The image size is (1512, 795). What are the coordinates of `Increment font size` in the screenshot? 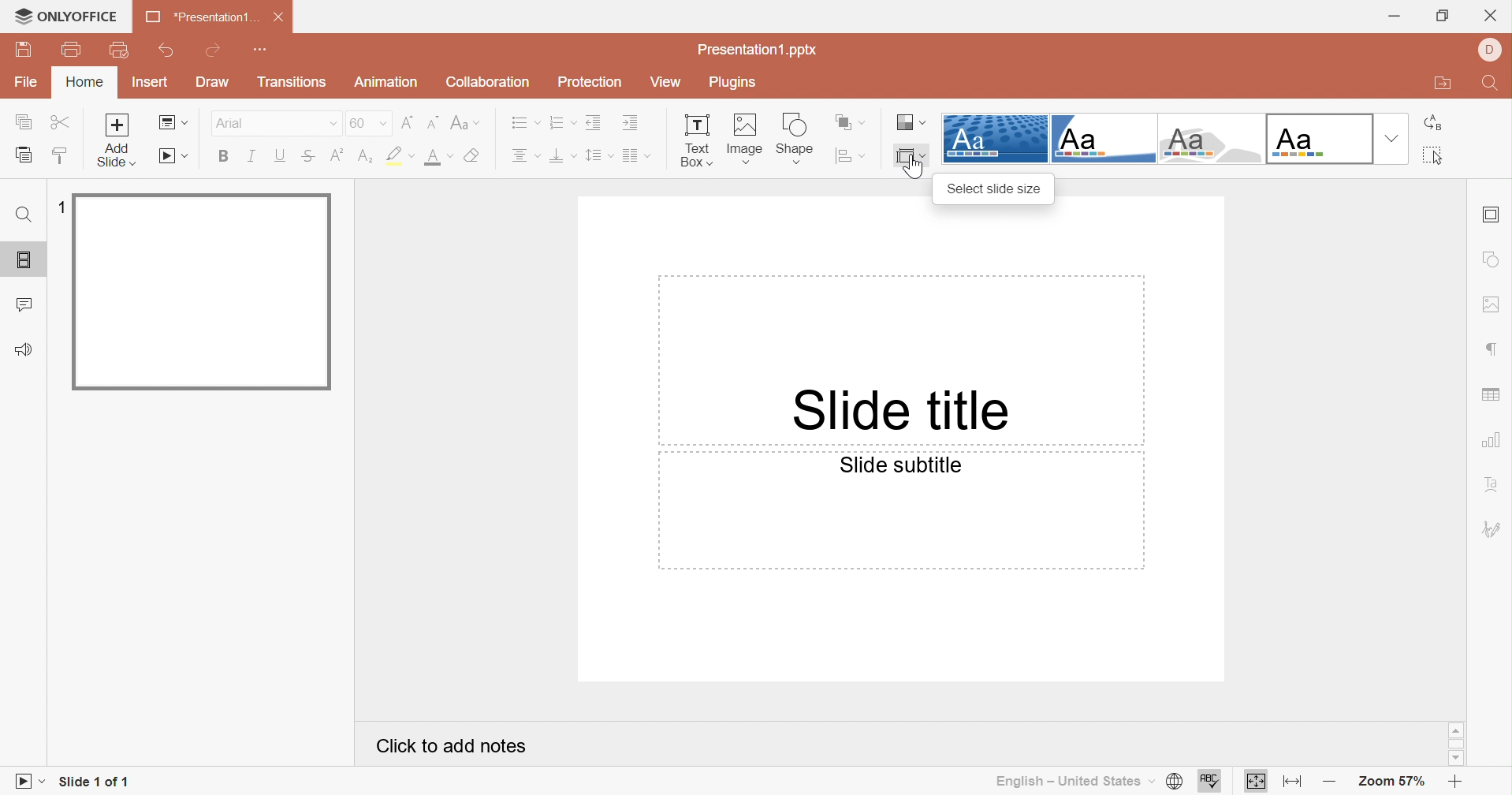 It's located at (409, 122).